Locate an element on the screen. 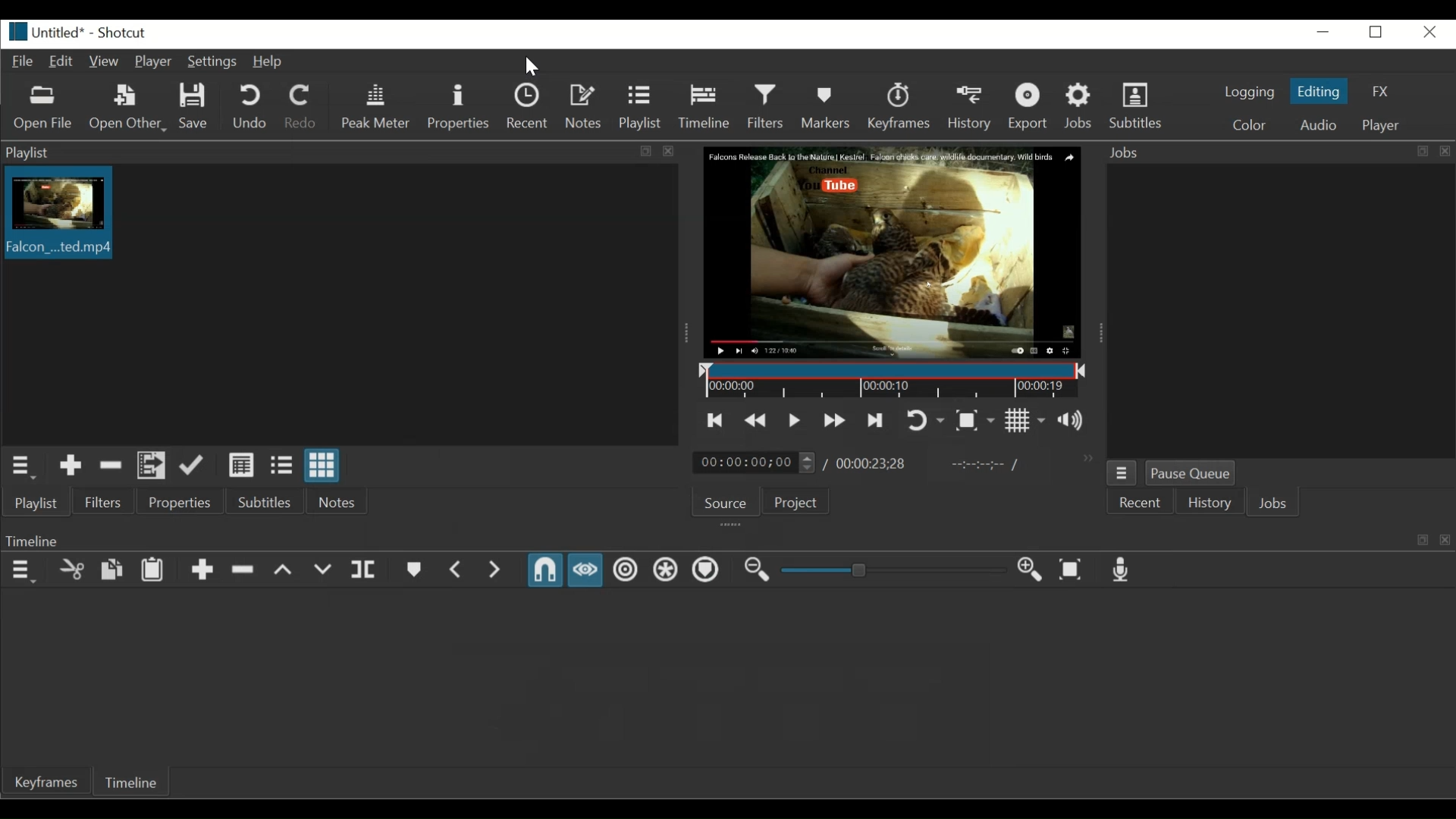  Zoom timeline to fit is located at coordinates (1071, 570).